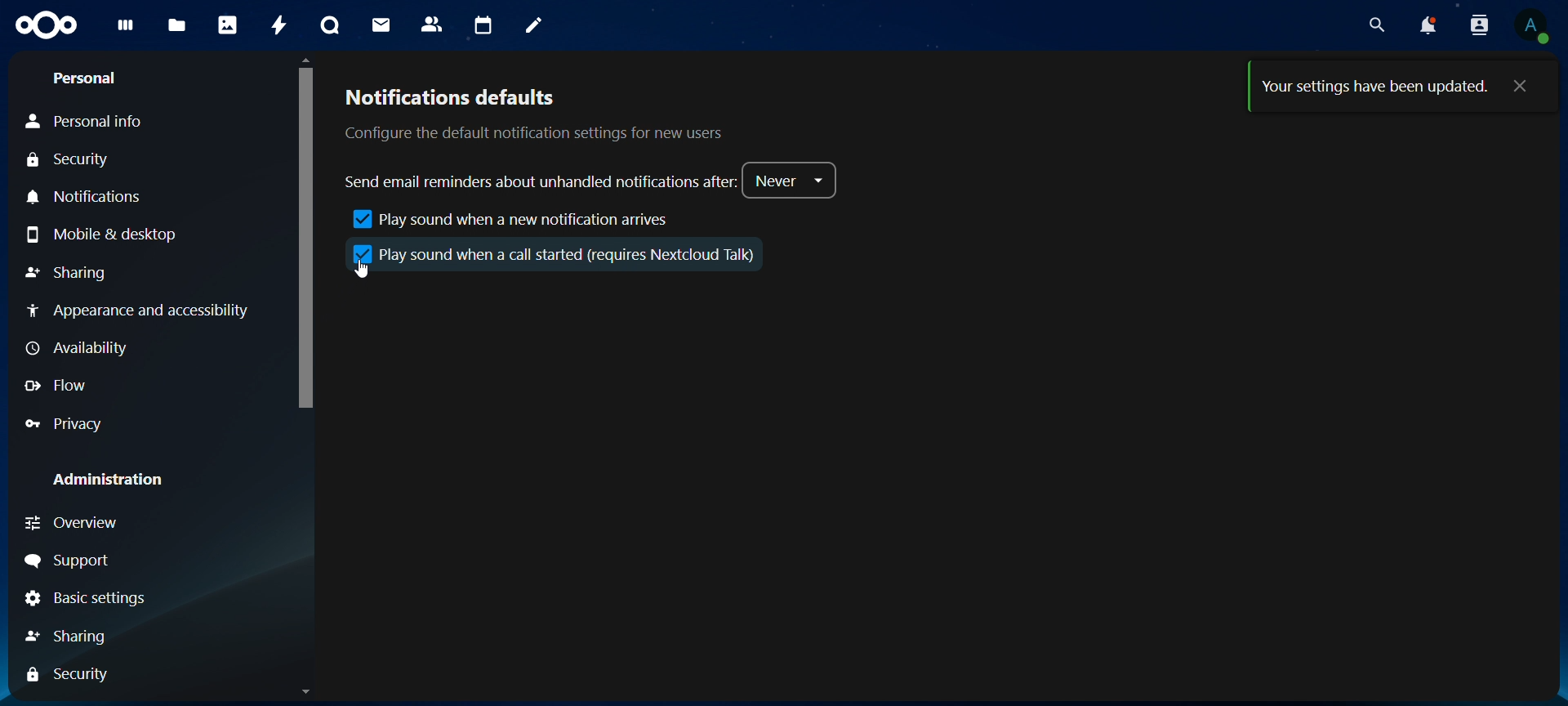 The height and width of the screenshot is (706, 1568). I want to click on View Profile, so click(1537, 26).